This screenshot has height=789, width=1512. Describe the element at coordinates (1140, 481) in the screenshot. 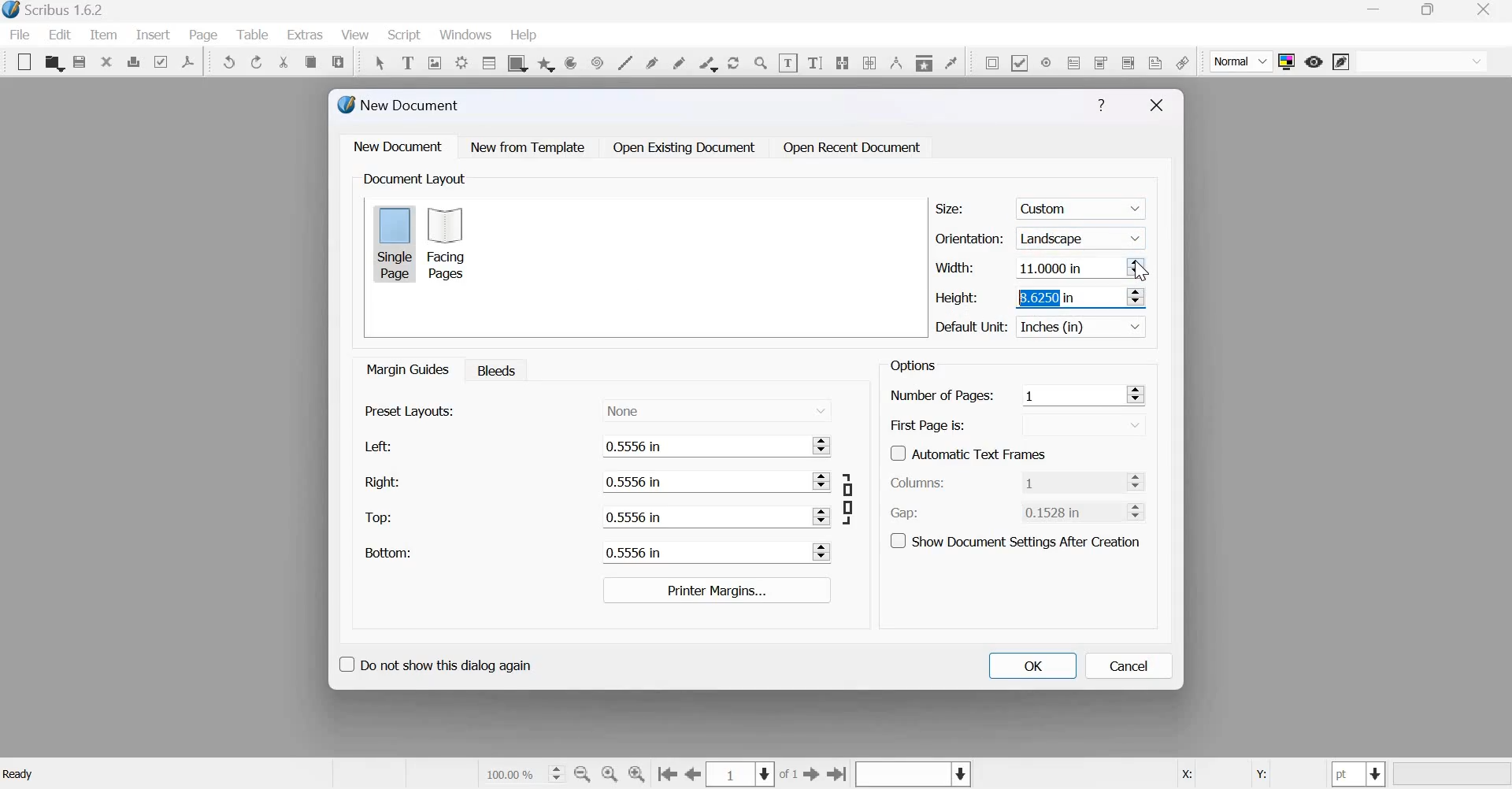

I see `Increase and Decrease` at that location.